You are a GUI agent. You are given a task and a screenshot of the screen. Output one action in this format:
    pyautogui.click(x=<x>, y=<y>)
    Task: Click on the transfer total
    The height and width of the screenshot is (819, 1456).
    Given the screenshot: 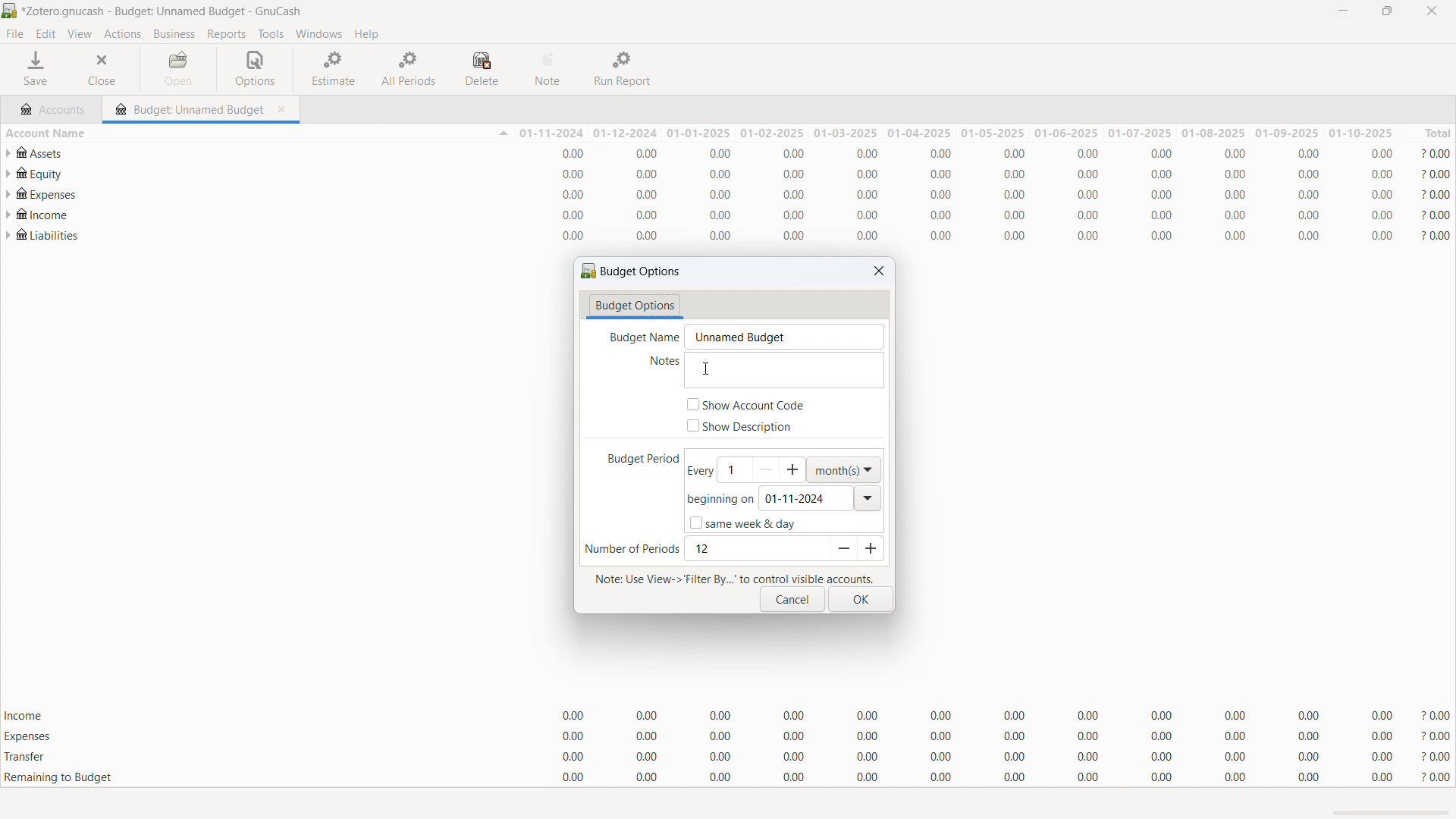 What is the action you would take?
    pyautogui.click(x=728, y=756)
    